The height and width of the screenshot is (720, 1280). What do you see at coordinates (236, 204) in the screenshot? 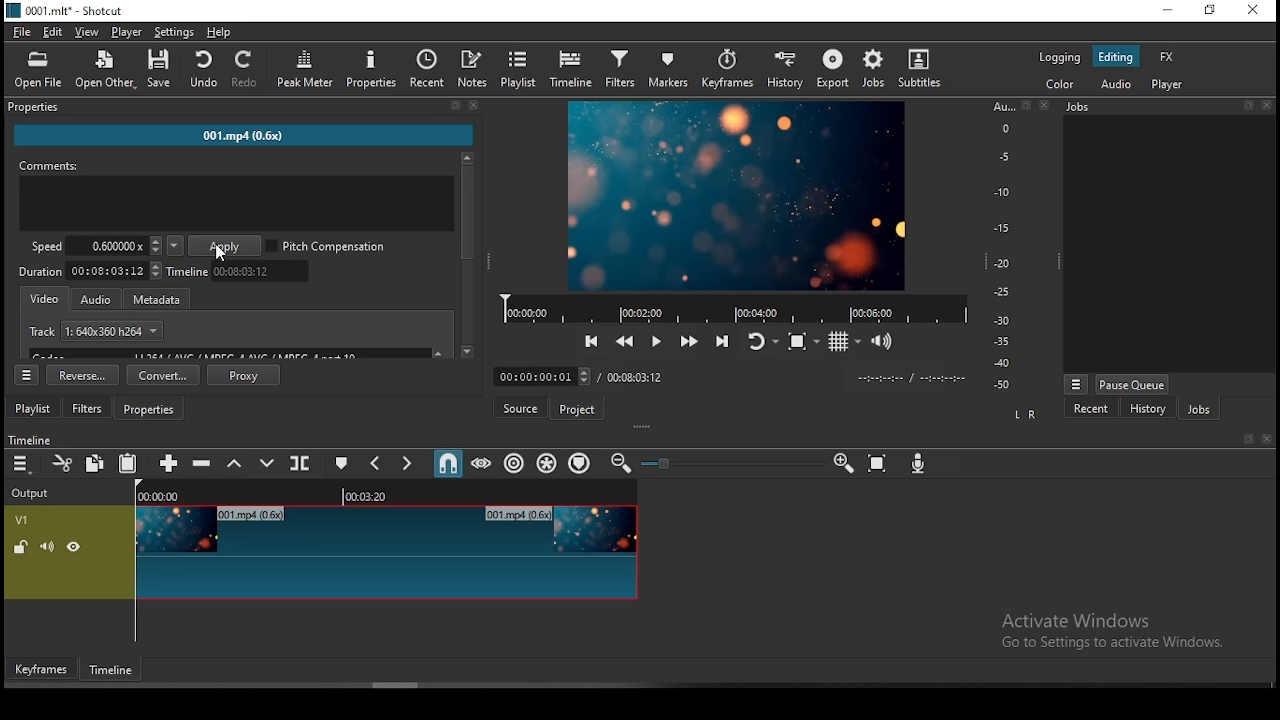
I see `comment box` at bounding box center [236, 204].